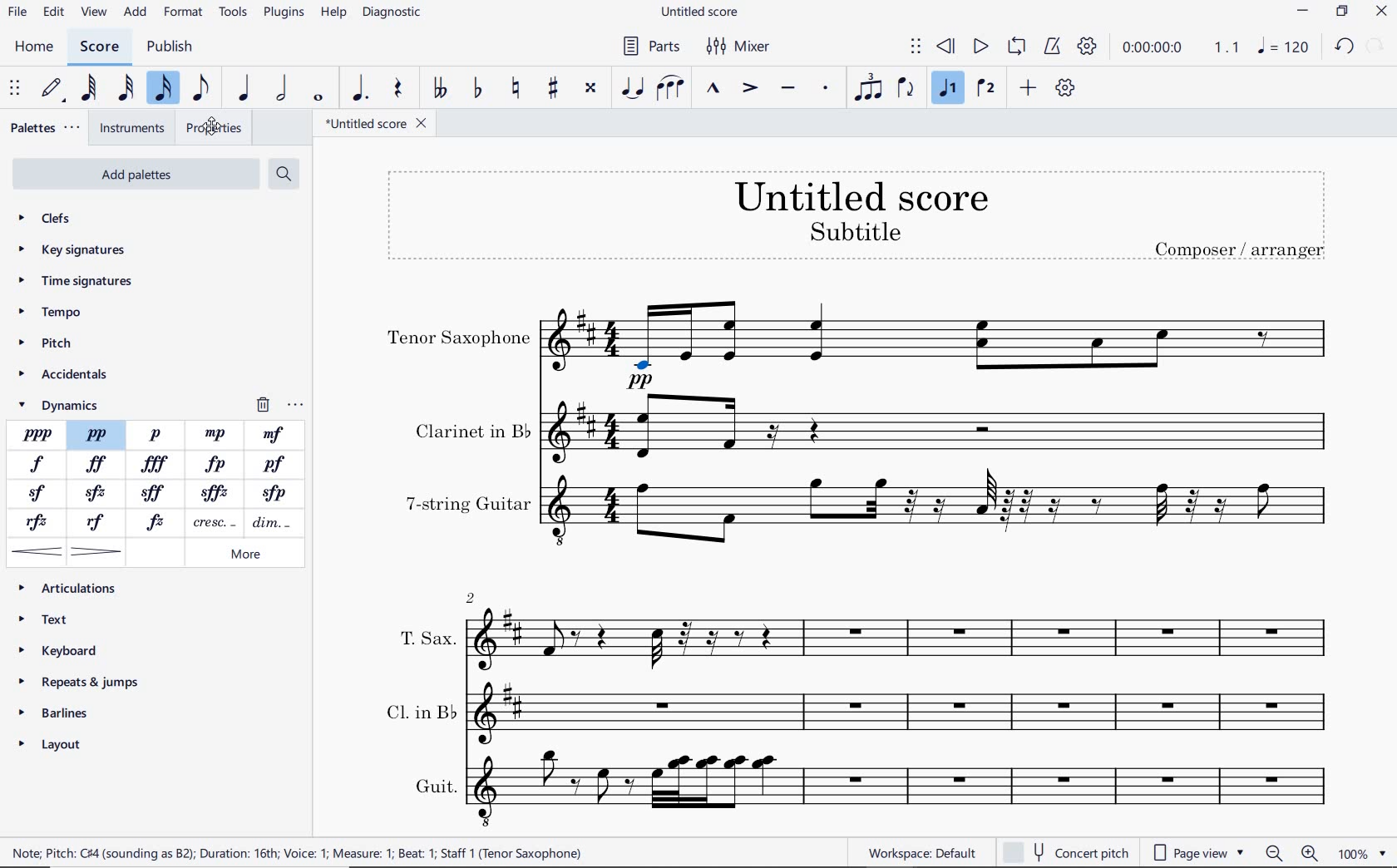  What do you see at coordinates (471, 596) in the screenshot?
I see `2` at bounding box center [471, 596].